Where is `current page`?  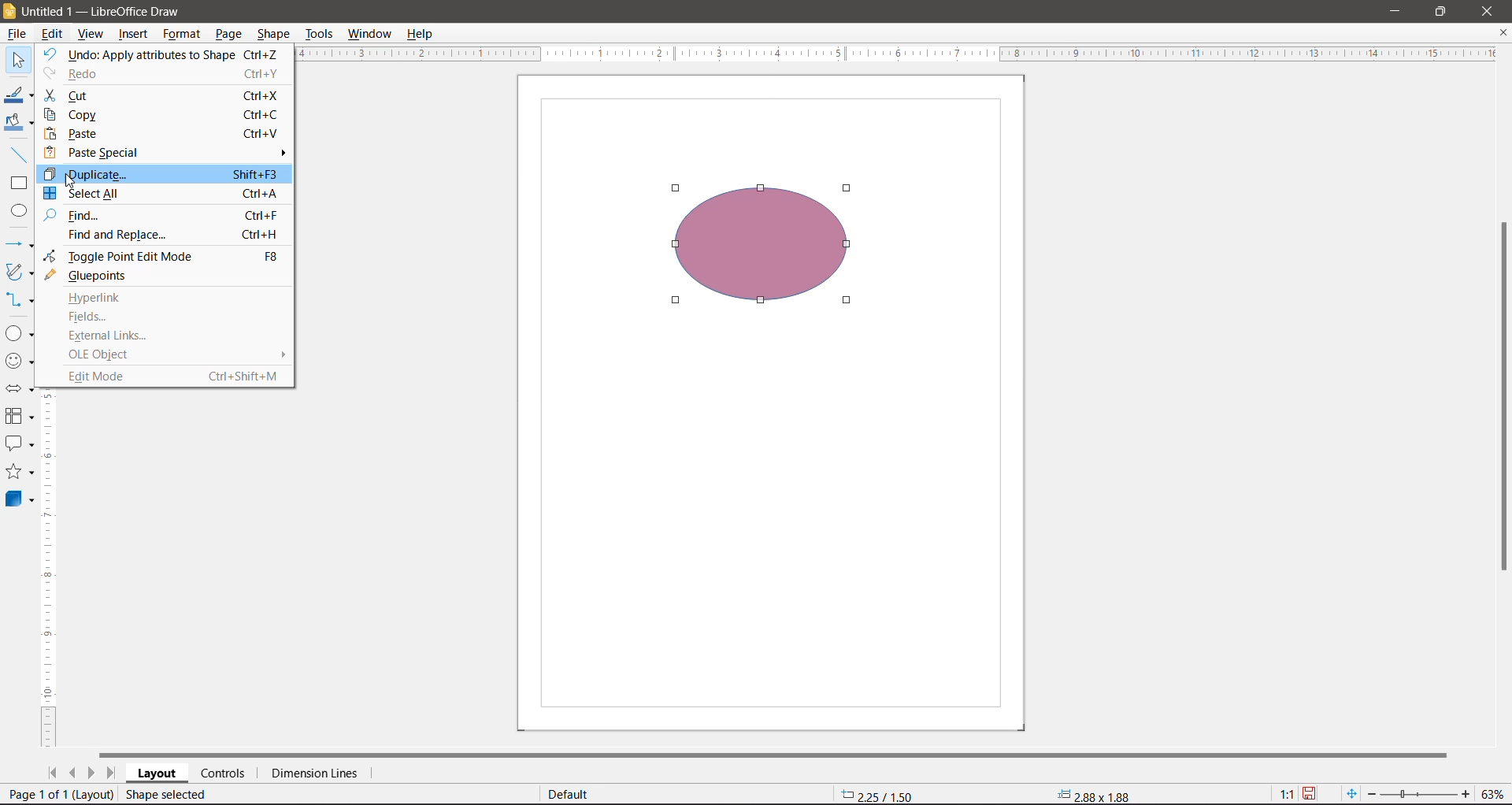
current page is located at coordinates (60, 792).